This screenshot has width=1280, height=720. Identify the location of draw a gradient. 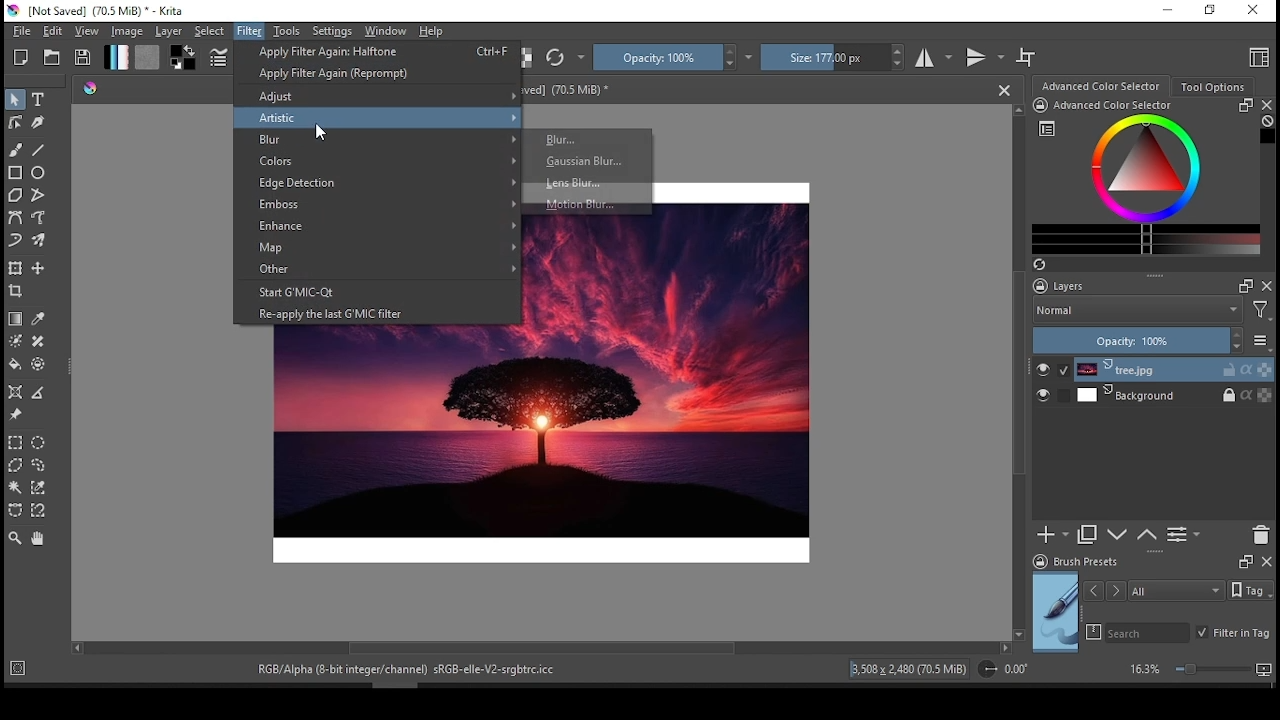
(15, 318).